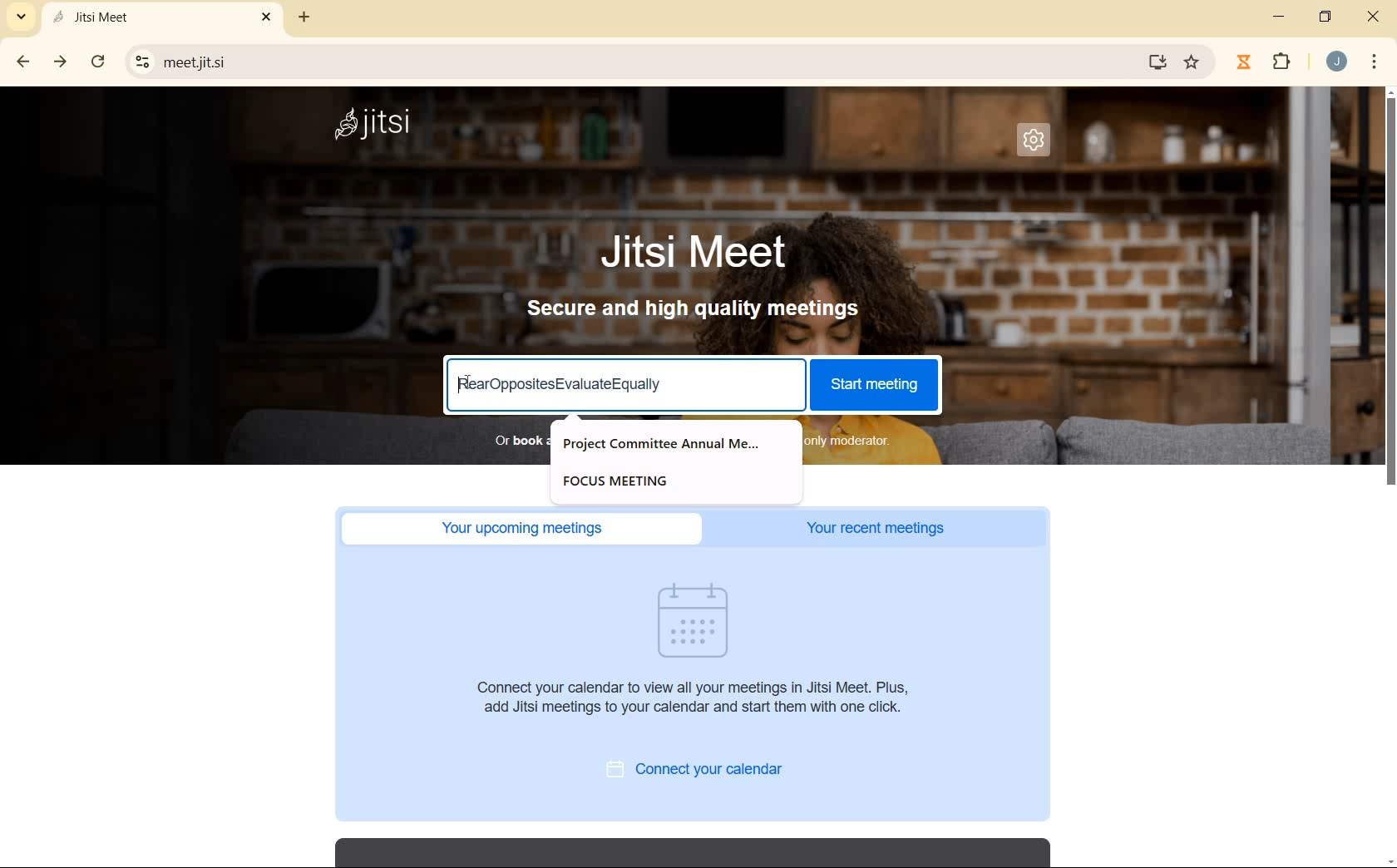 This screenshot has height=868, width=1397. What do you see at coordinates (700, 619) in the screenshot?
I see `Visual Element` at bounding box center [700, 619].